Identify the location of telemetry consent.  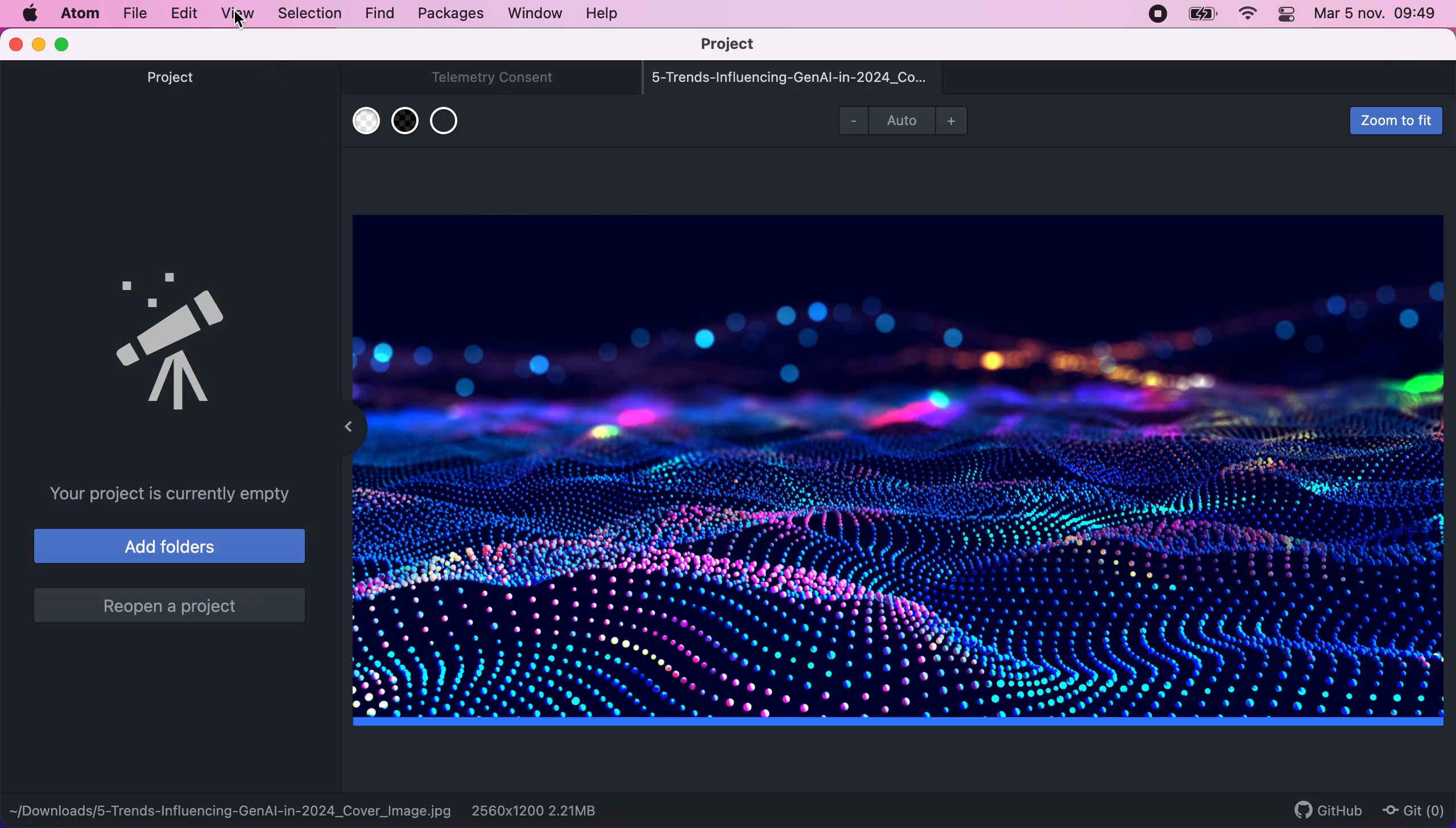
(495, 78).